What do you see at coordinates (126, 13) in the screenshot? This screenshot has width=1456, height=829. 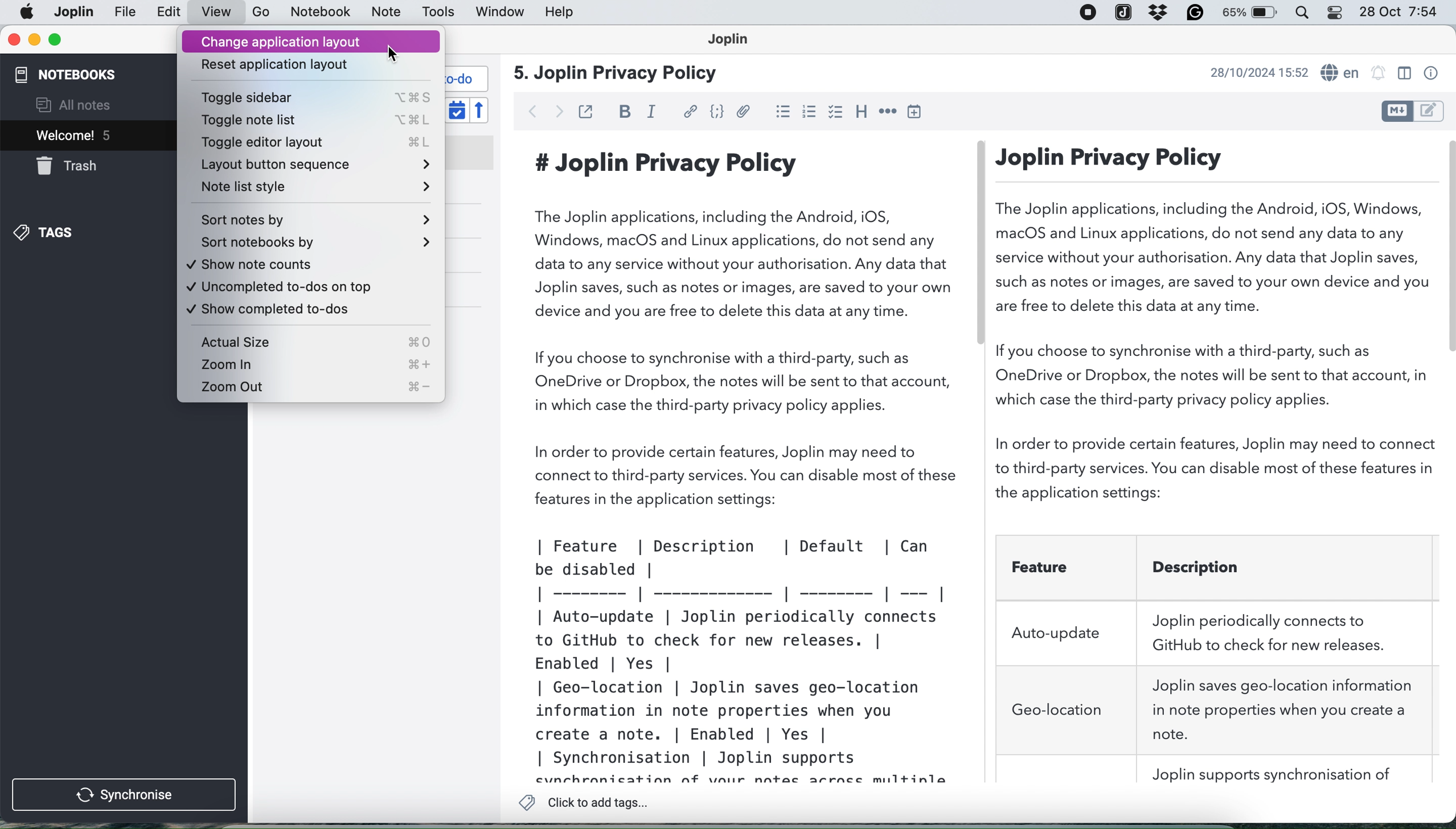 I see `joplin` at bounding box center [126, 13].